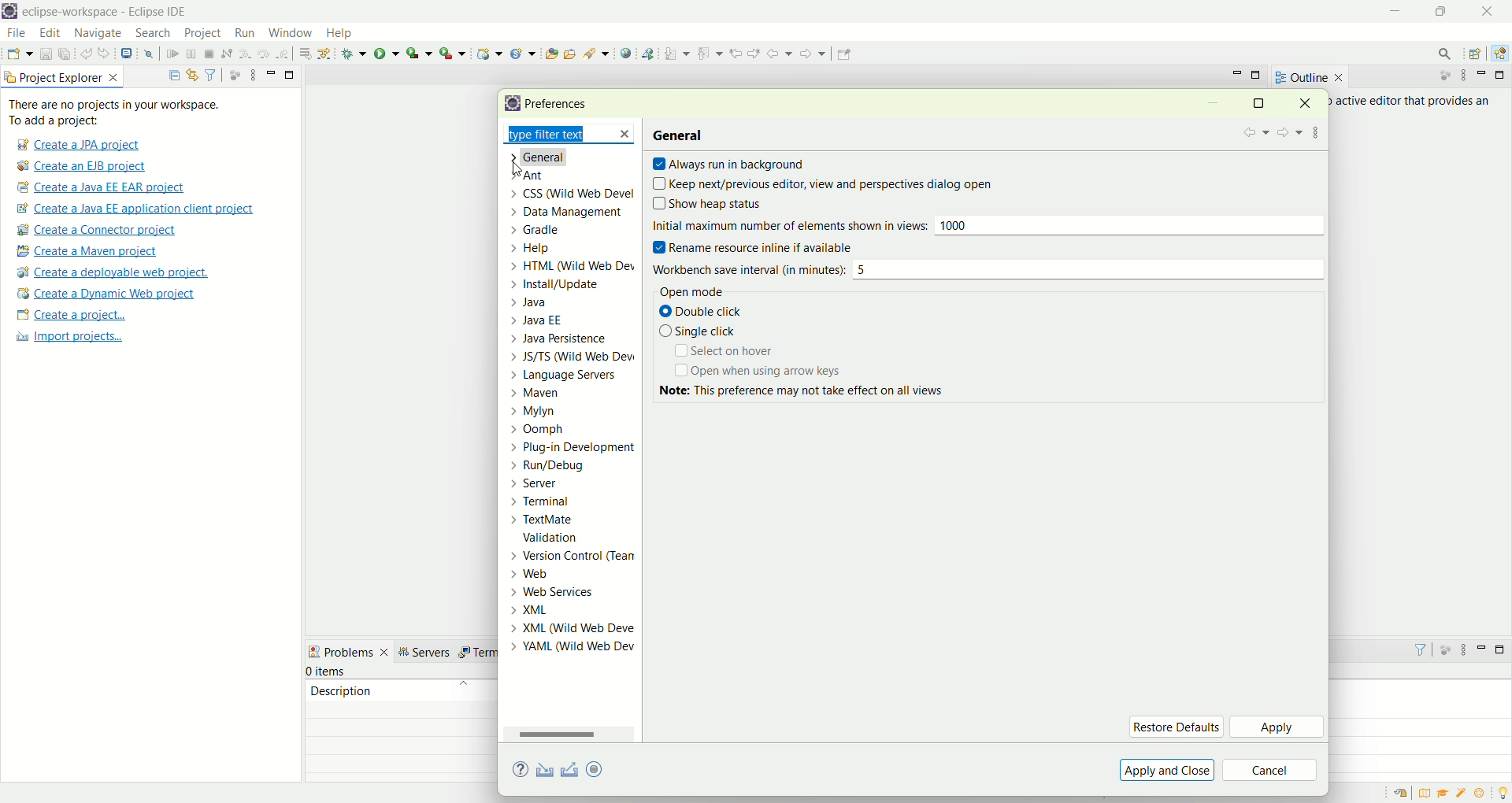 This screenshot has width=1512, height=803. Describe the element at coordinates (569, 375) in the screenshot. I see `language servers` at that location.